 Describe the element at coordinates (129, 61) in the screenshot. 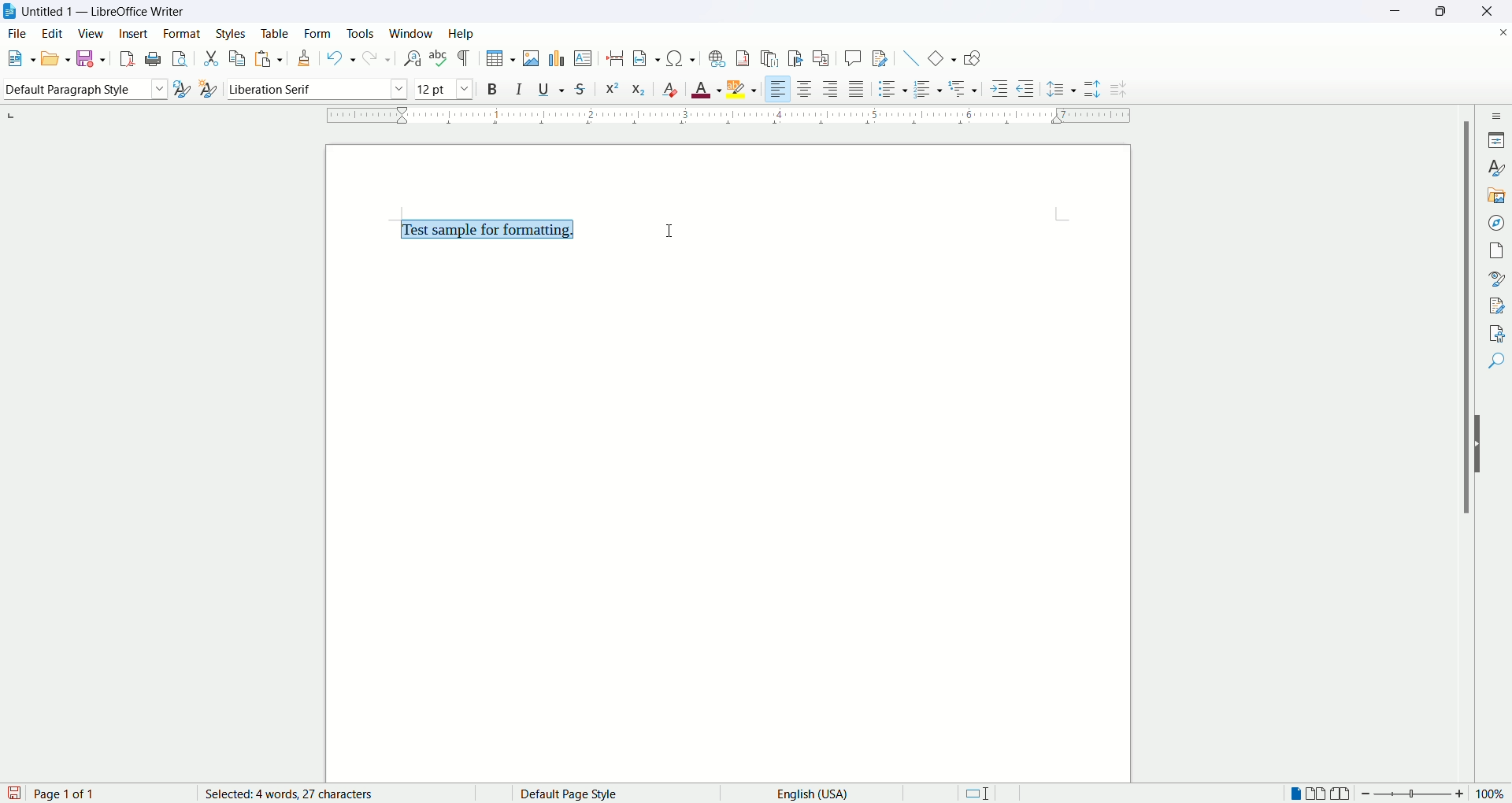

I see `export as PDF` at that location.